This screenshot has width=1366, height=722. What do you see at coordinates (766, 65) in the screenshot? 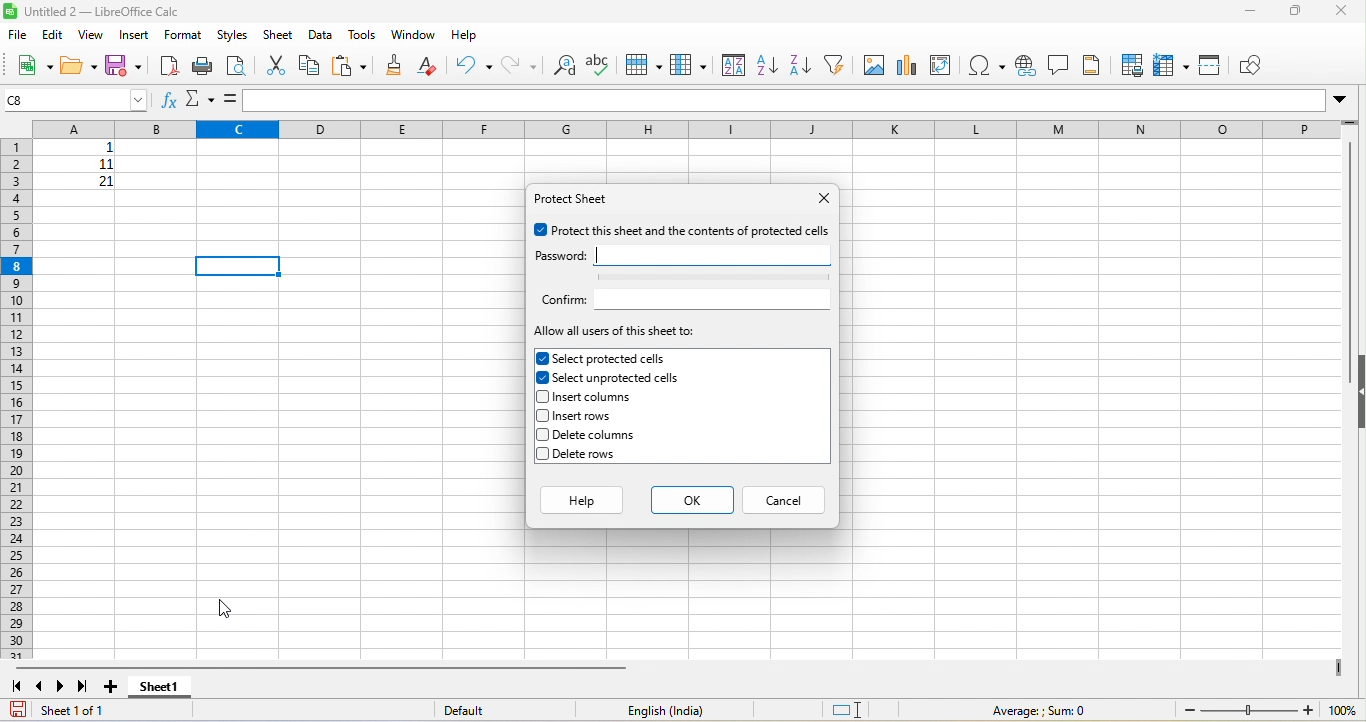
I see `sort ascending` at bounding box center [766, 65].